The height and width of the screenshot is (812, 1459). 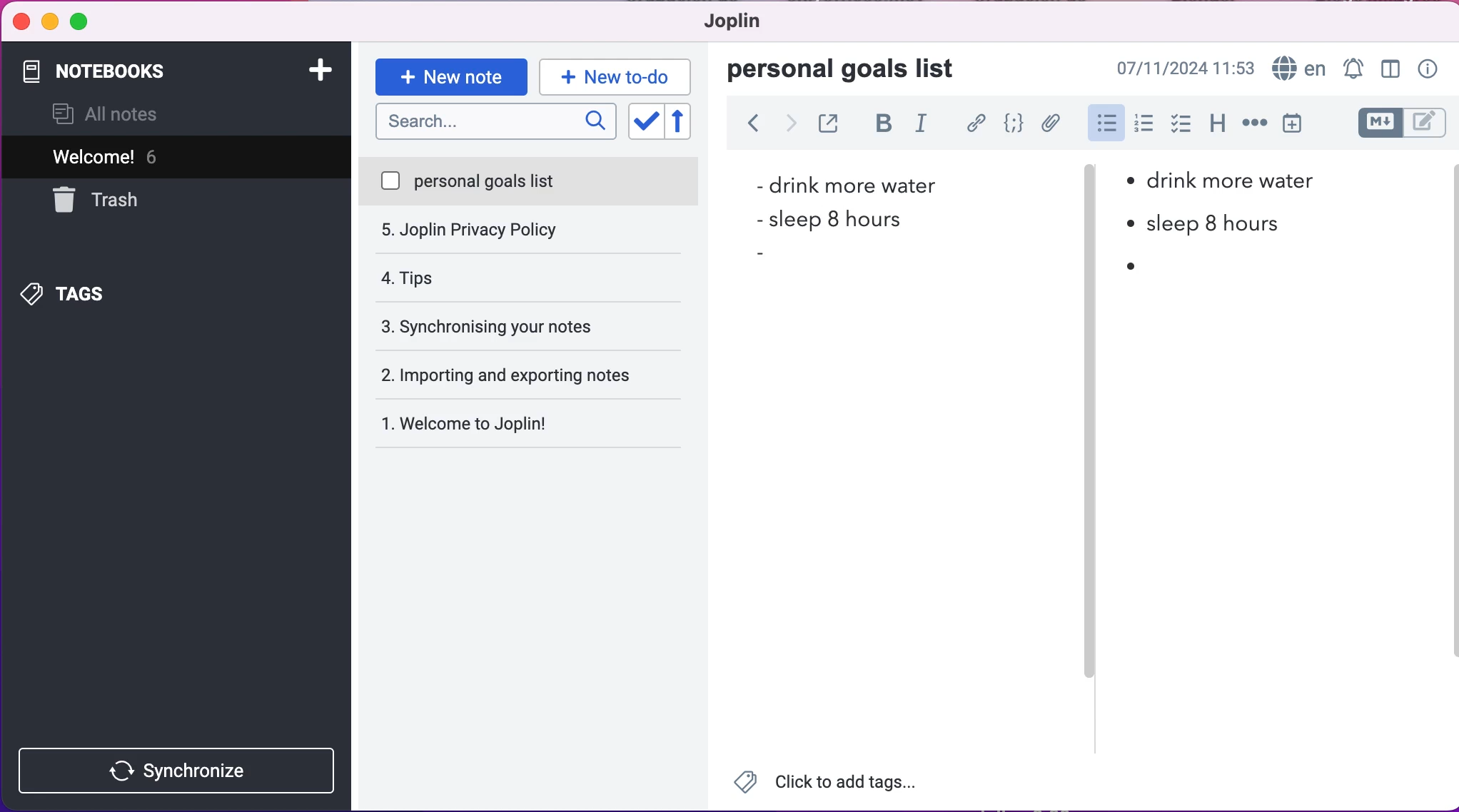 What do you see at coordinates (1428, 67) in the screenshot?
I see `note properties` at bounding box center [1428, 67].